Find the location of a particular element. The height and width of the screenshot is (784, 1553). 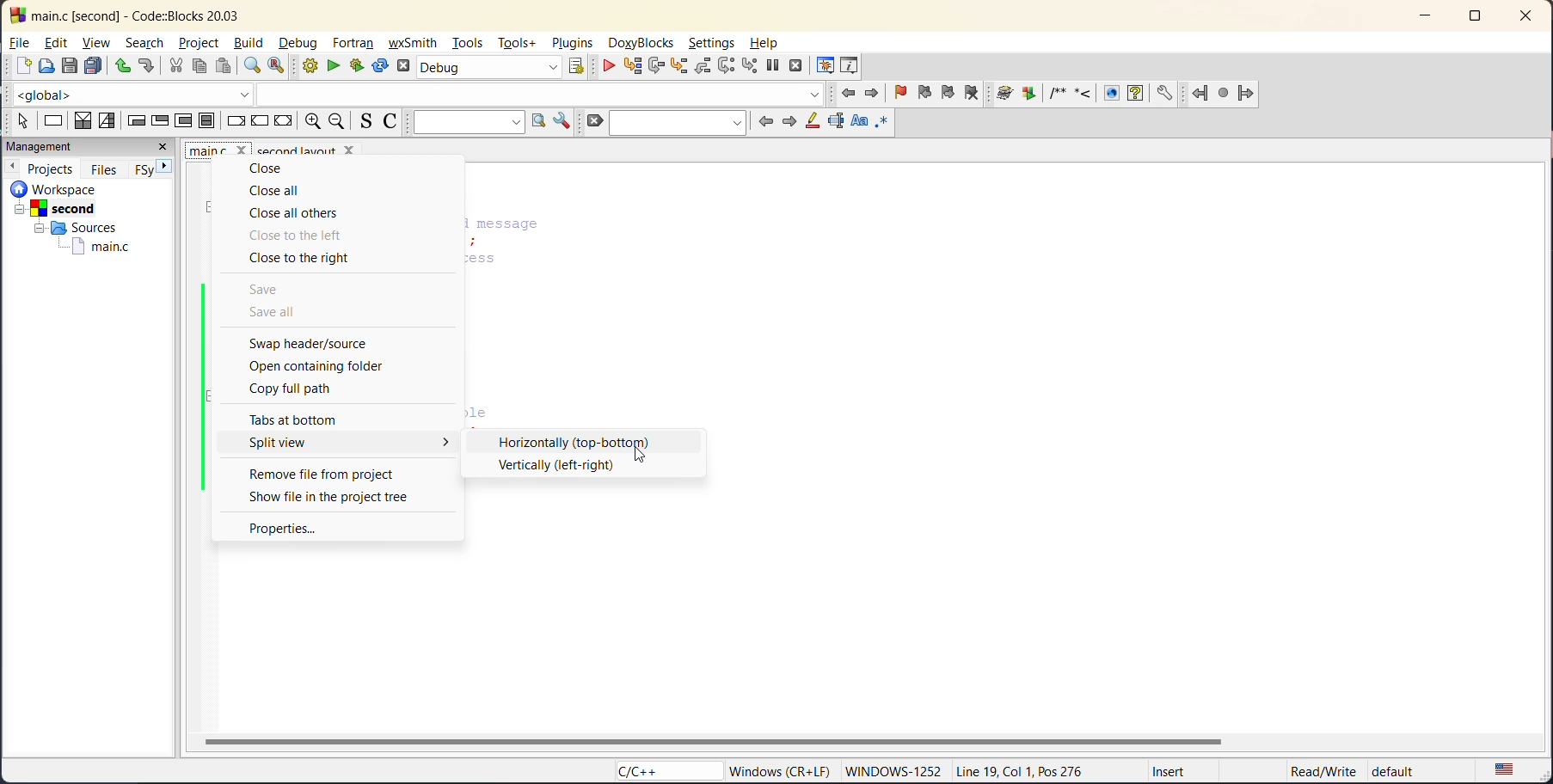

toggle comments is located at coordinates (390, 121).